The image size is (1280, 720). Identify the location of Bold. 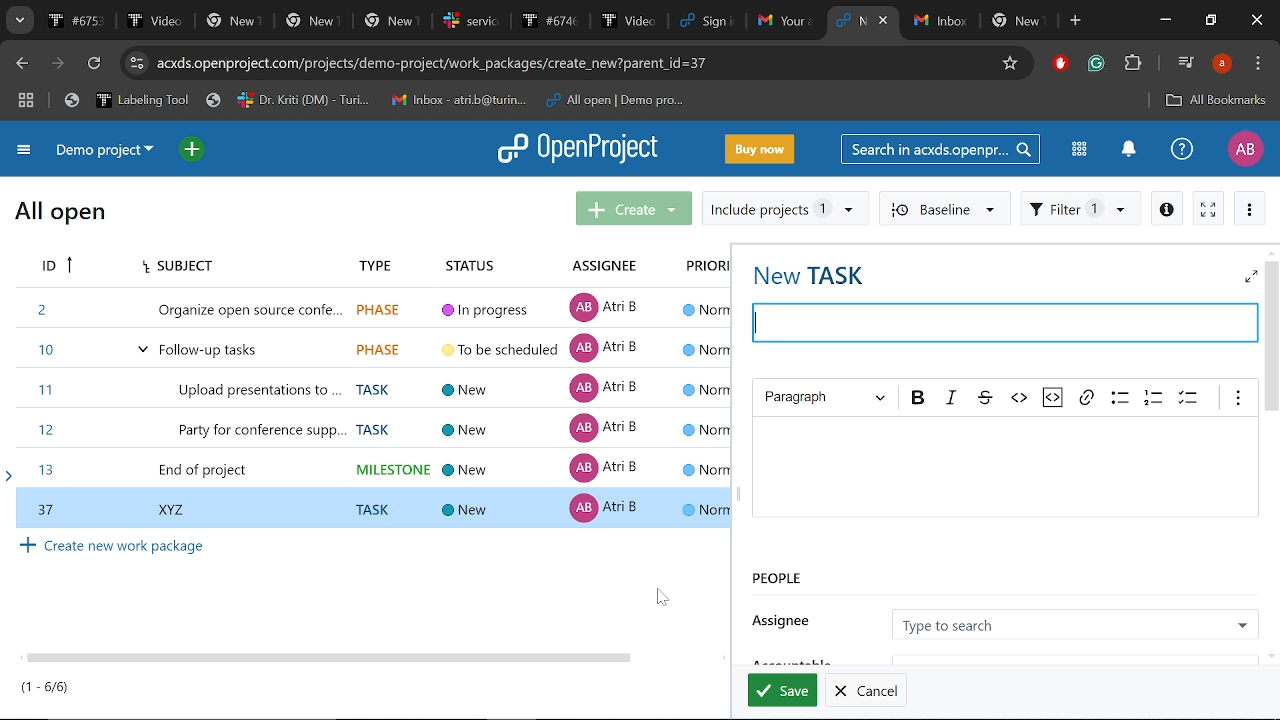
(919, 398).